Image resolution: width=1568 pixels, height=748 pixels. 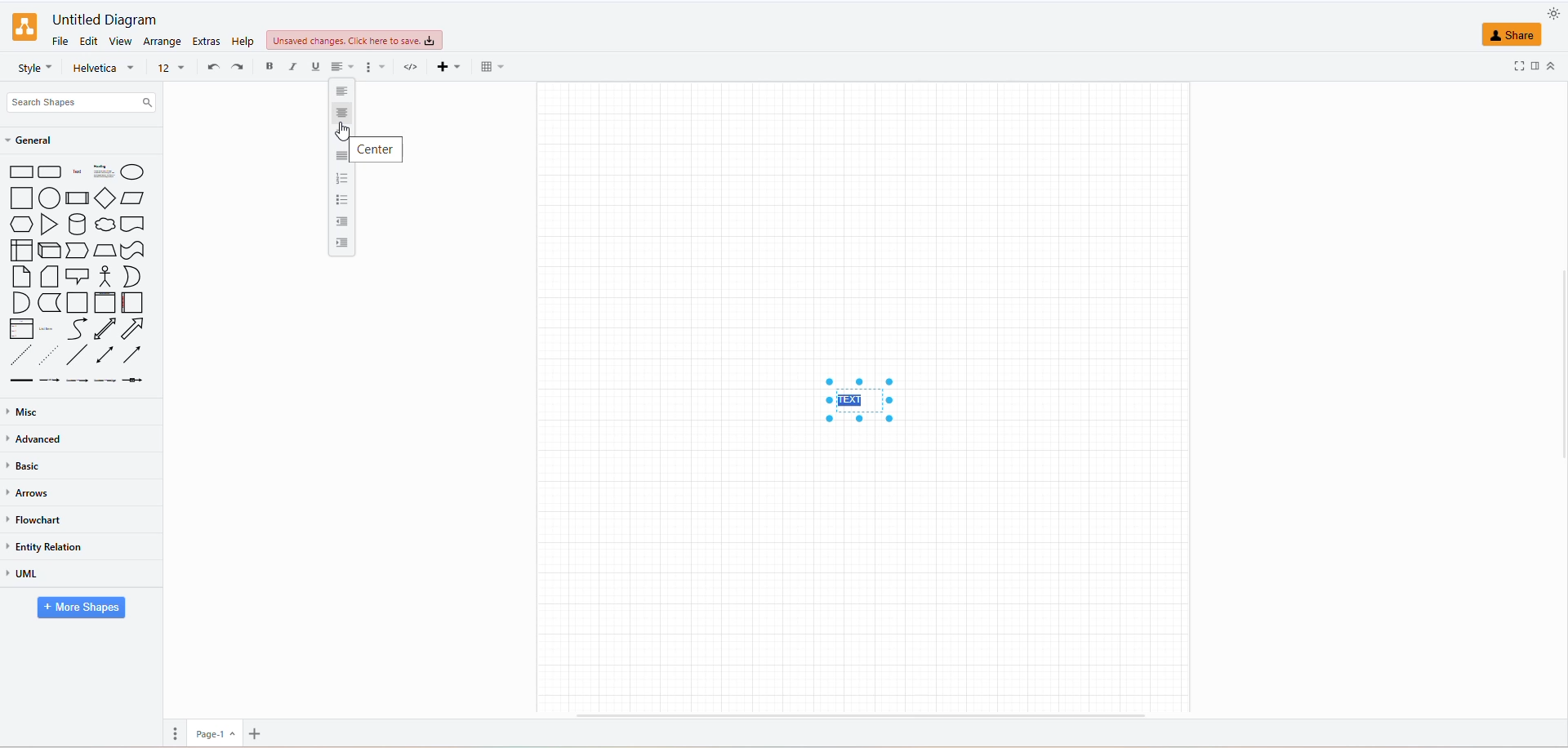 What do you see at coordinates (376, 149) in the screenshot?
I see `center` at bounding box center [376, 149].